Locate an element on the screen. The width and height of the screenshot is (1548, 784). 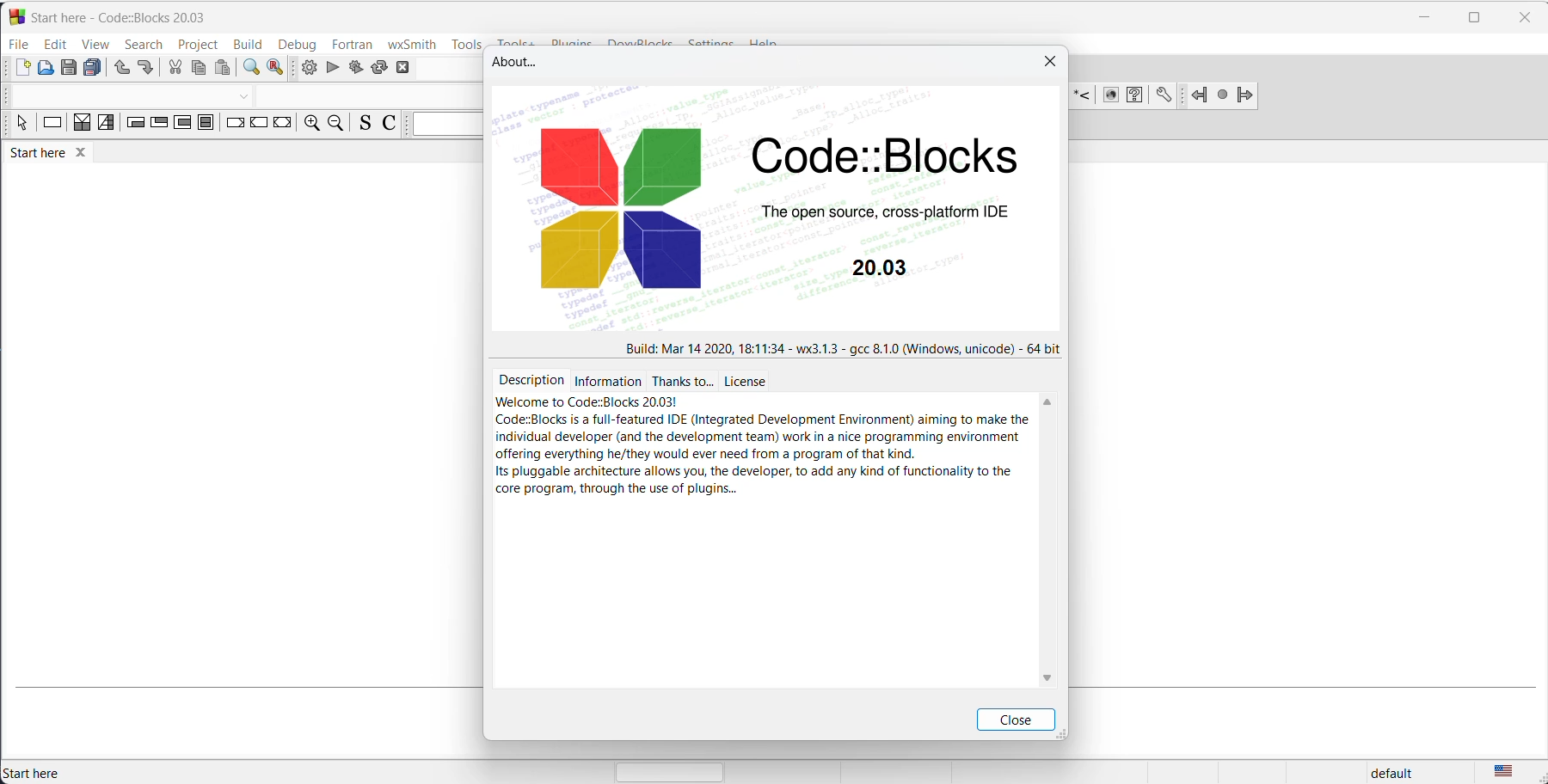
continue instruction is located at coordinates (259, 126).